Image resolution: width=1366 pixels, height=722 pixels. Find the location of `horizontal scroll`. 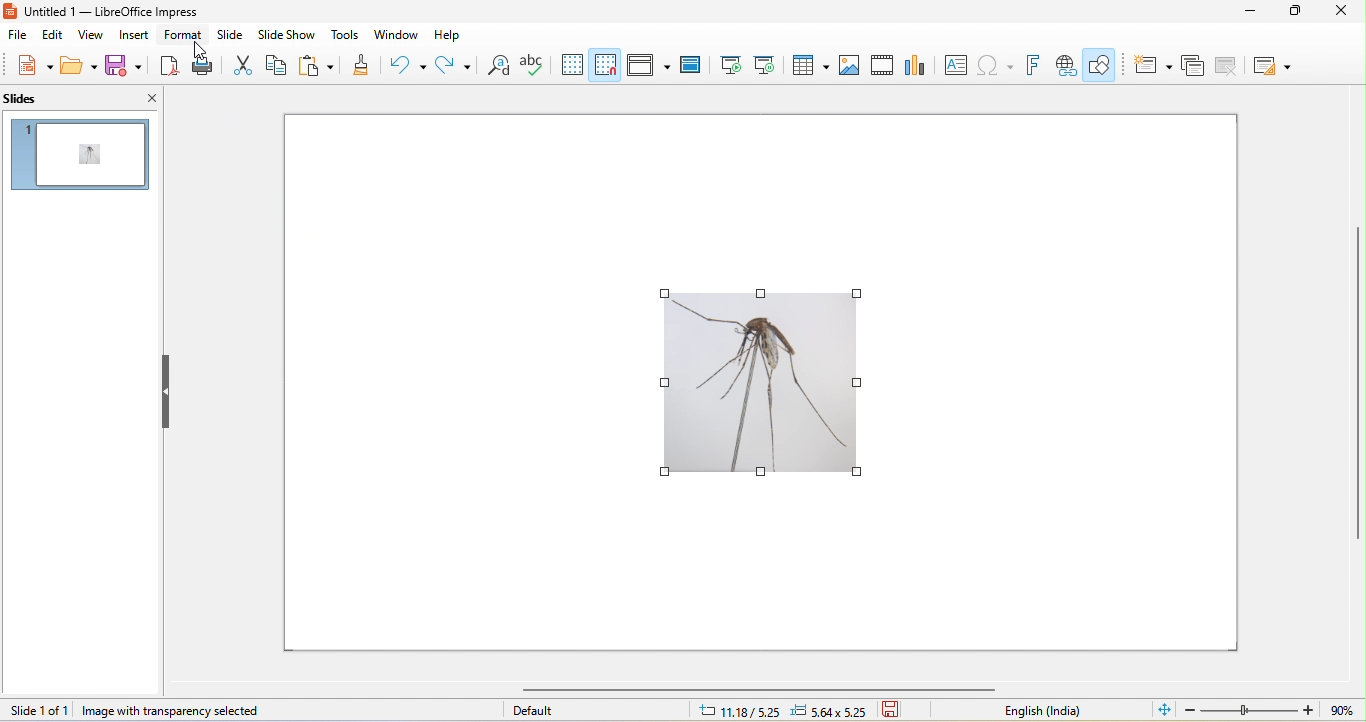

horizontal scroll is located at coordinates (788, 690).